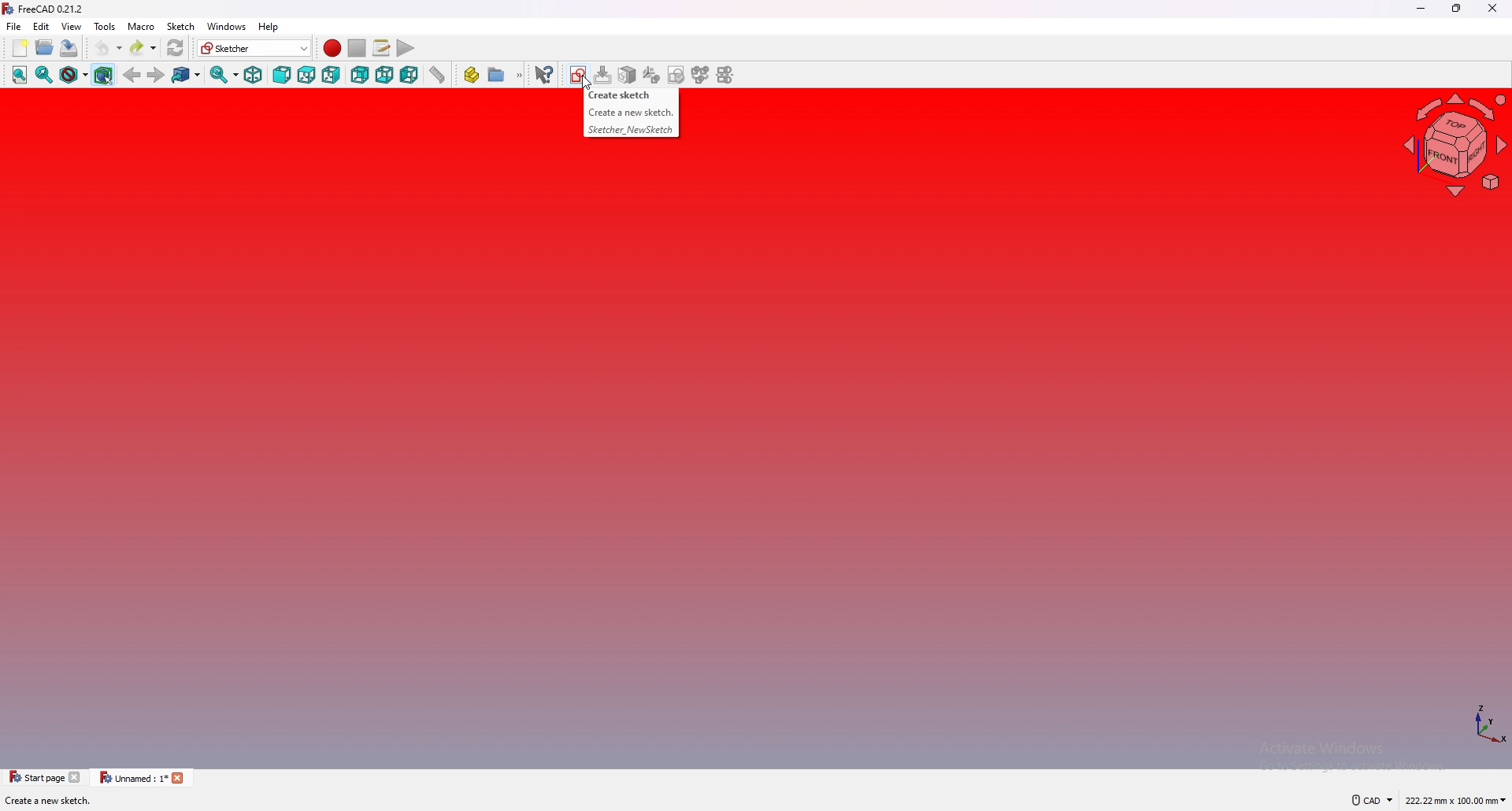 The width and height of the screenshot is (1512, 811). Describe the element at coordinates (472, 76) in the screenshot. I see `create part` at that location.